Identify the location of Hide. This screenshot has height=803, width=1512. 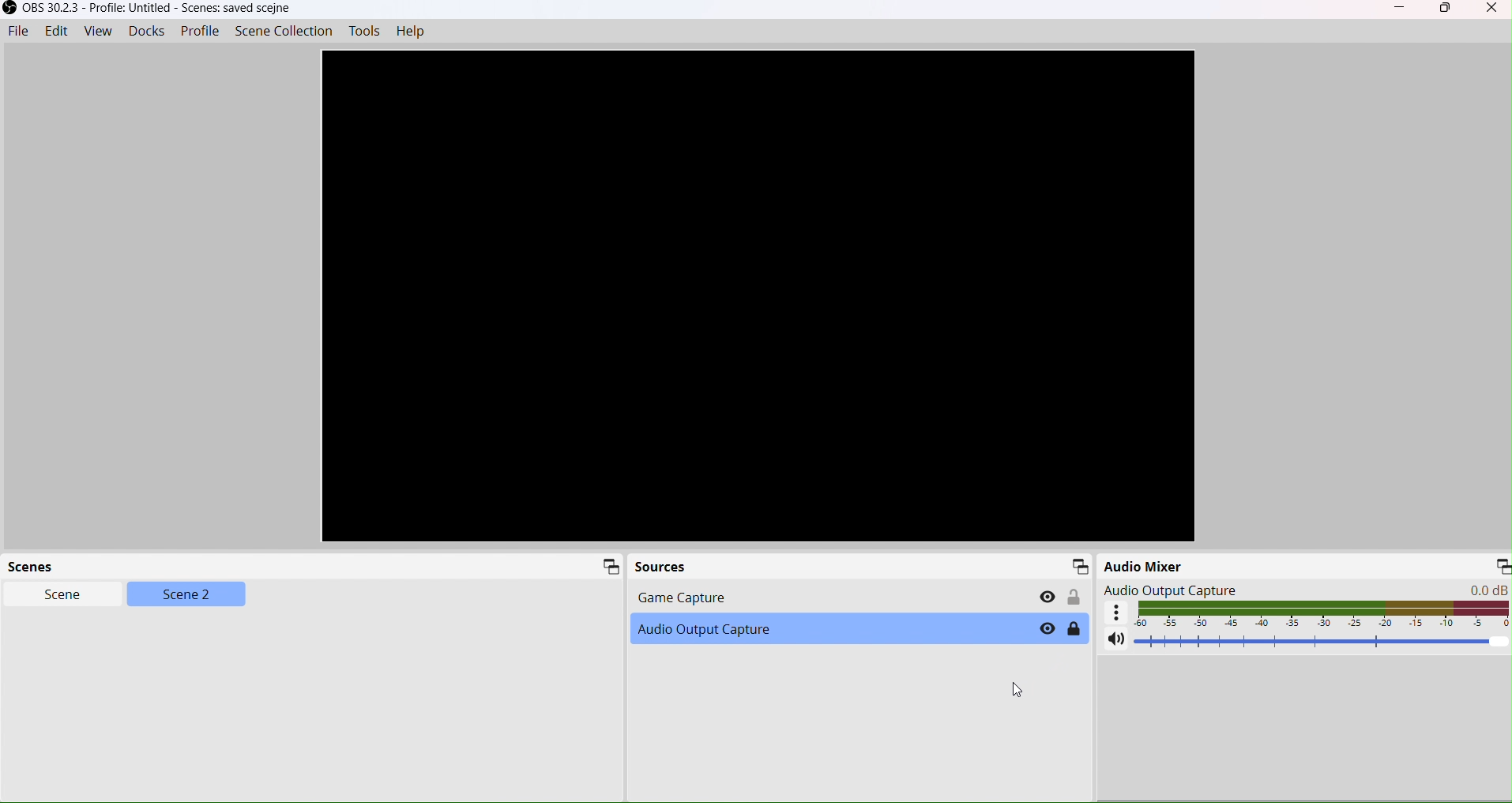
(1044, 596).